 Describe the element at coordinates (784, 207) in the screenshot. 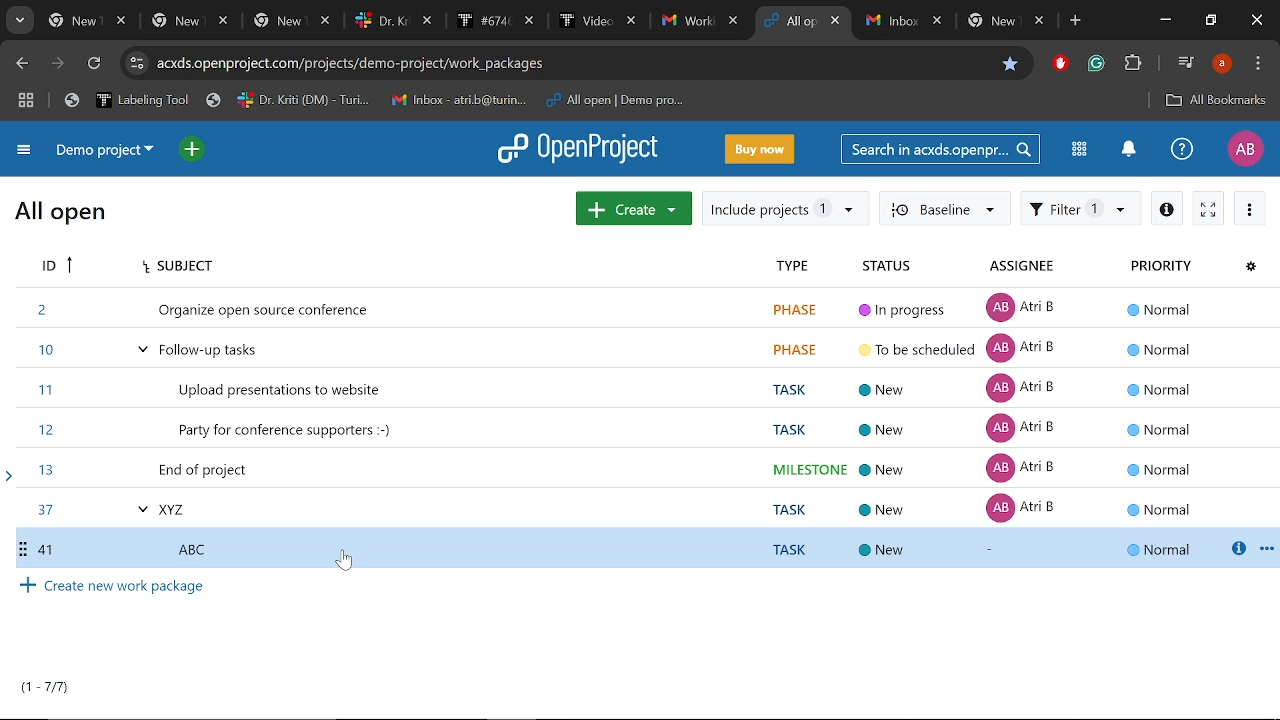

I see `Include projects` at that location.